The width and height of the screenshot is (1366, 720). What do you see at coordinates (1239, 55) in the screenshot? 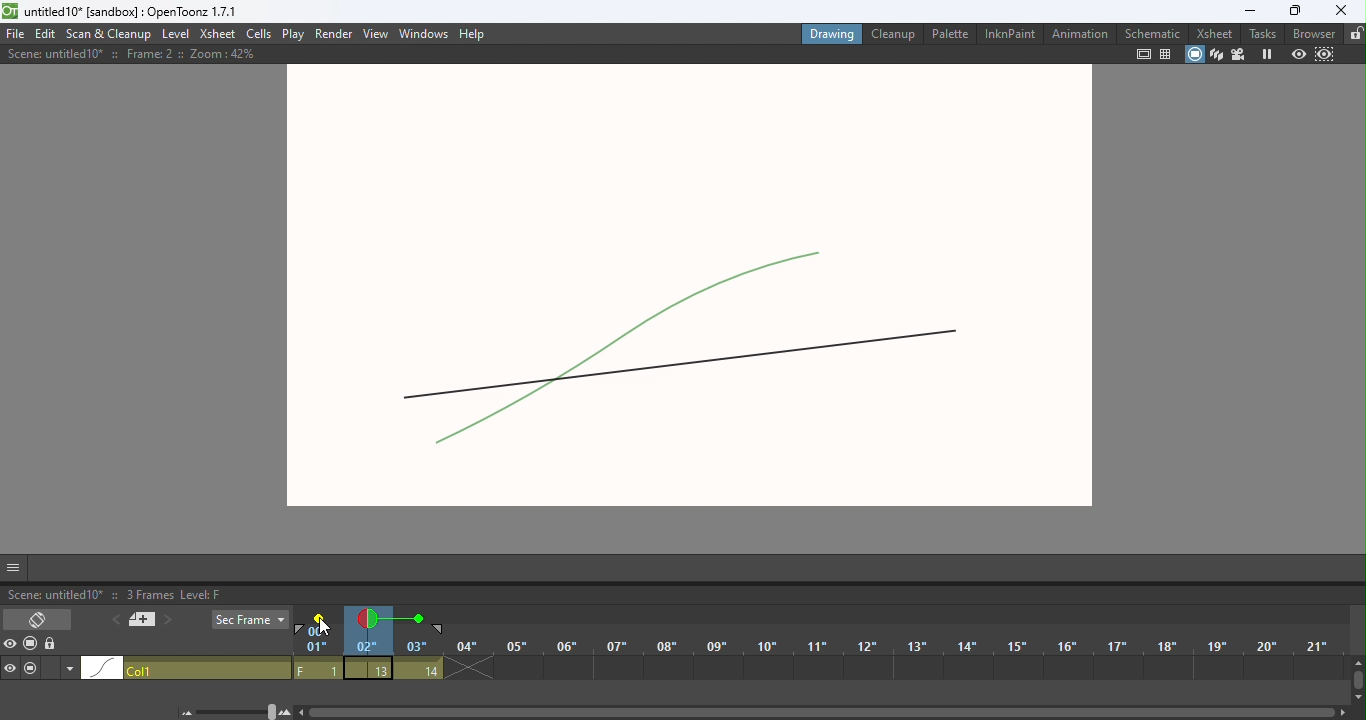
I see `Camera view` at bounding box center [1239, 55].